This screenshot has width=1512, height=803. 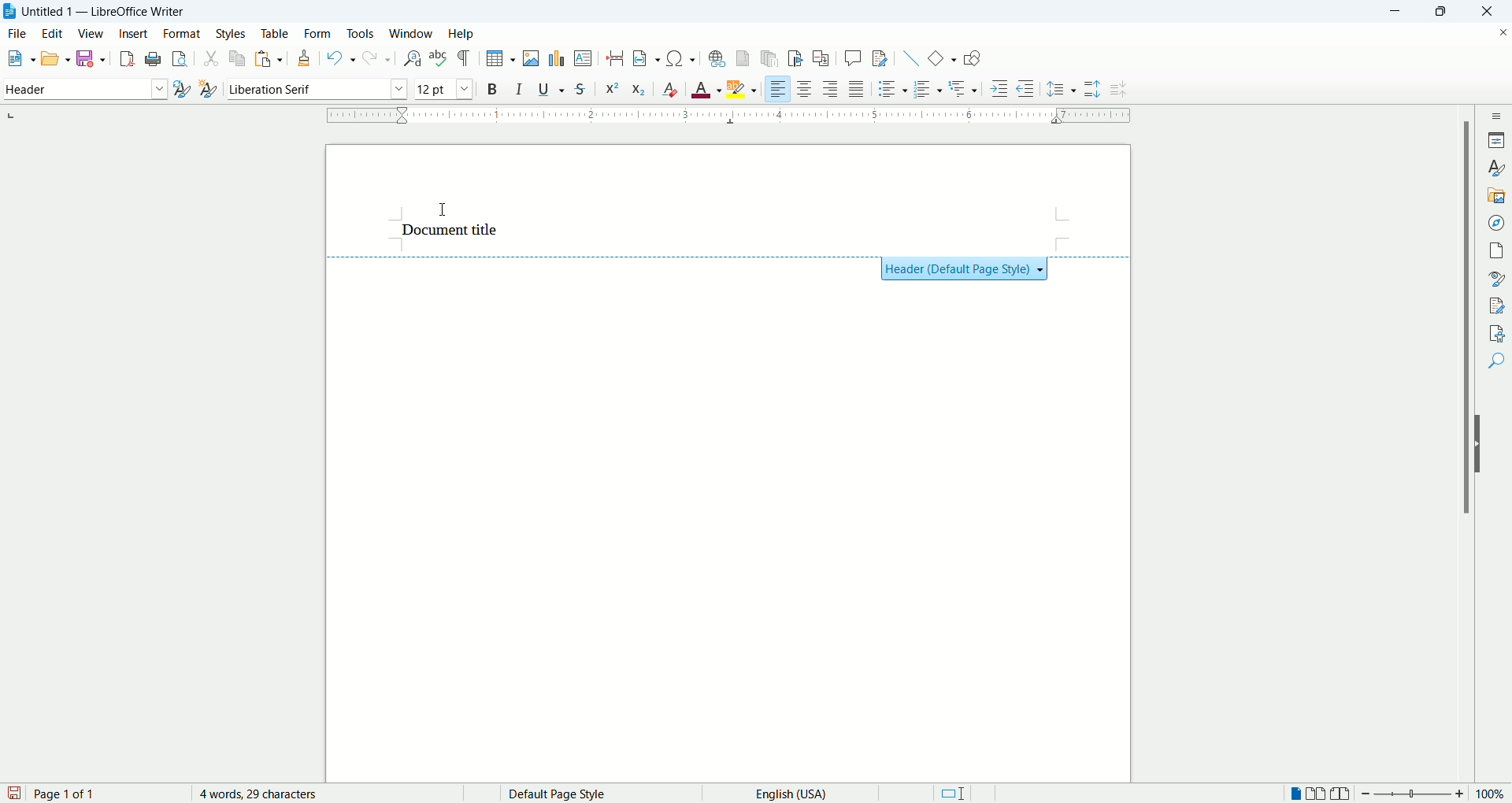 What do you see at coordinates (1495, 361) in the screenshot?
I see `find` at bounding box center [1495, 361].